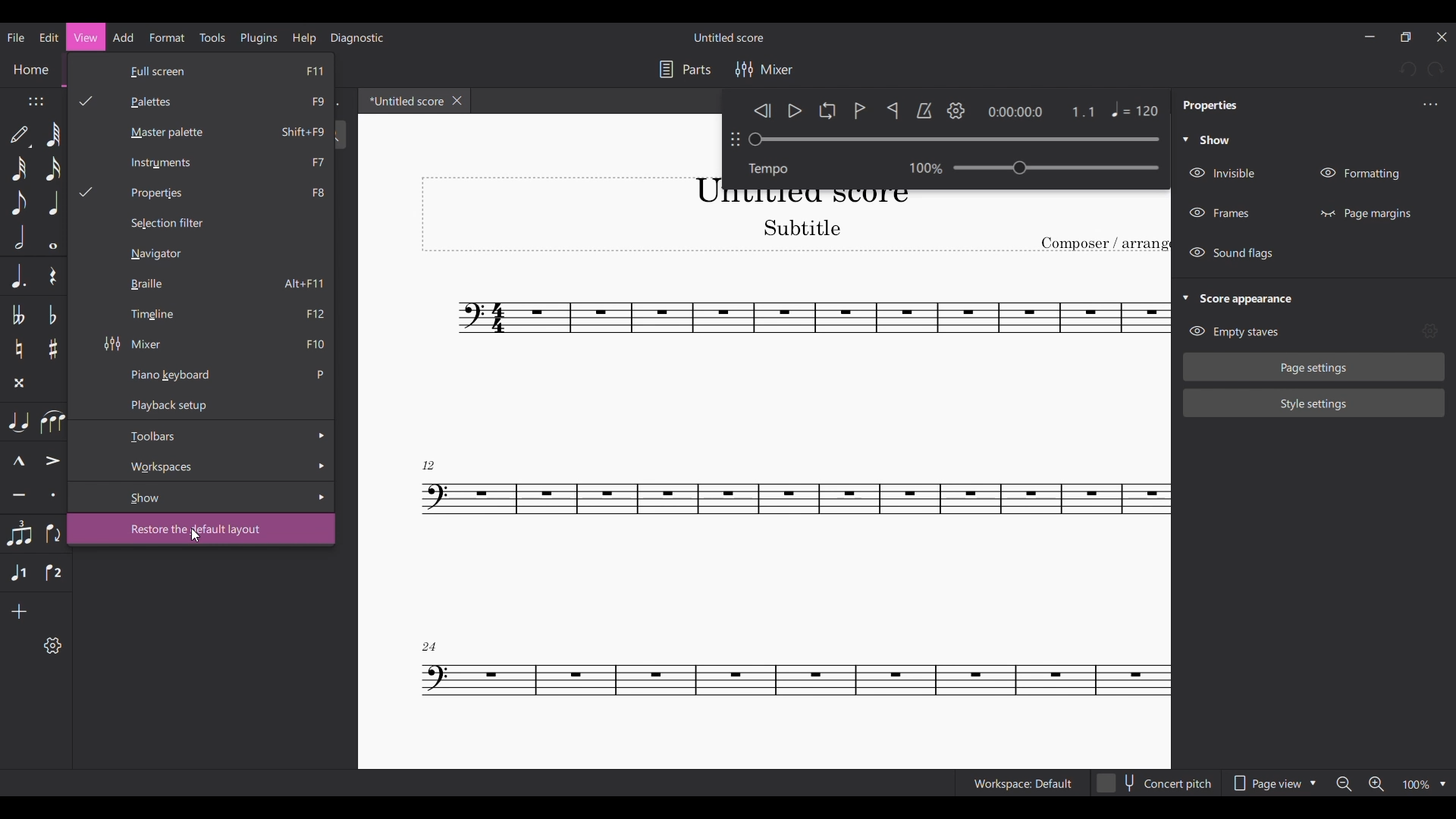 This screenshot has height=819, width=1456. Describe the element at coordinates (1314, 367) in the screenshot. I see `Page settings` at that location.